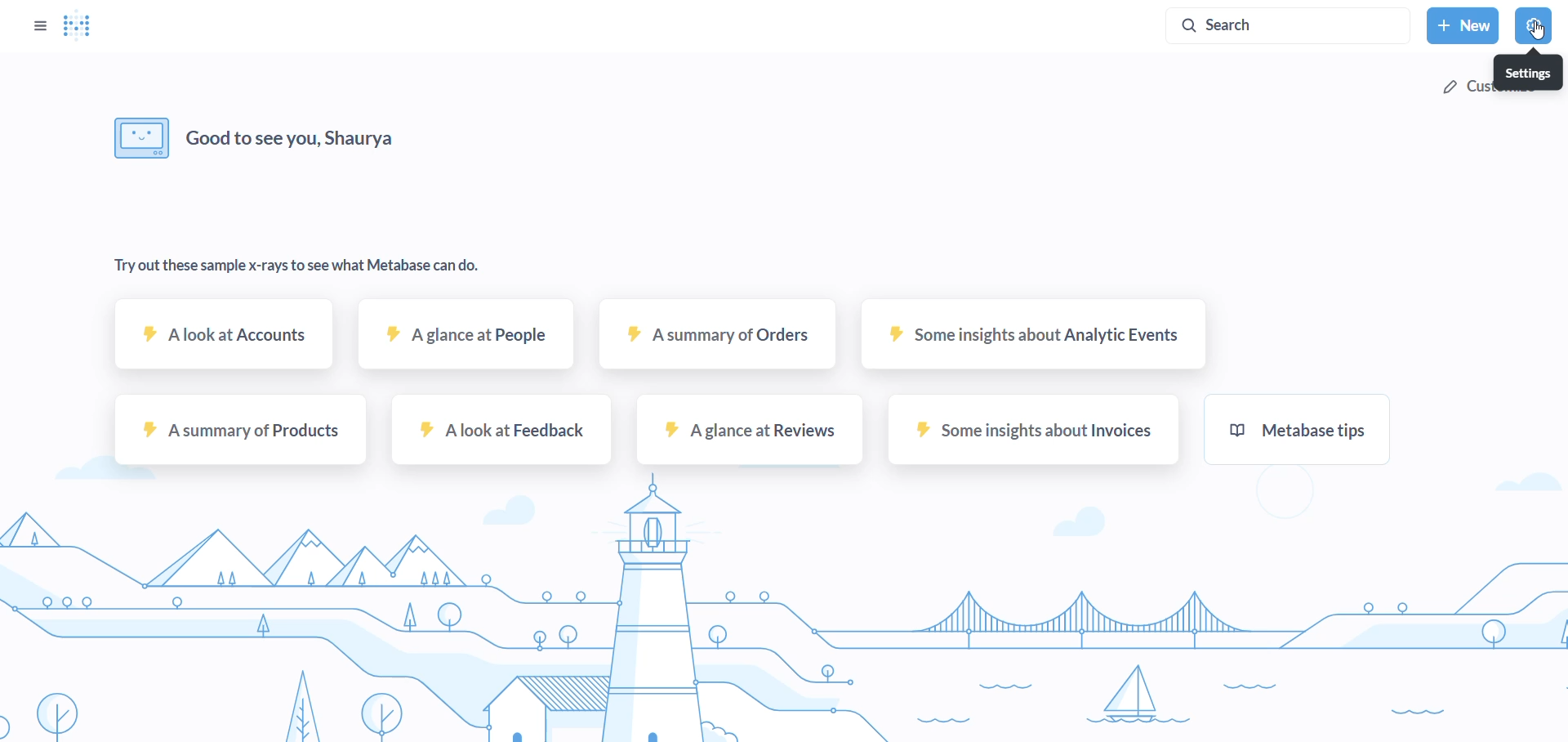 This screenshot has width=1568, height=742. I want to click on Good to see you, Shaurya, so click(318, 135).